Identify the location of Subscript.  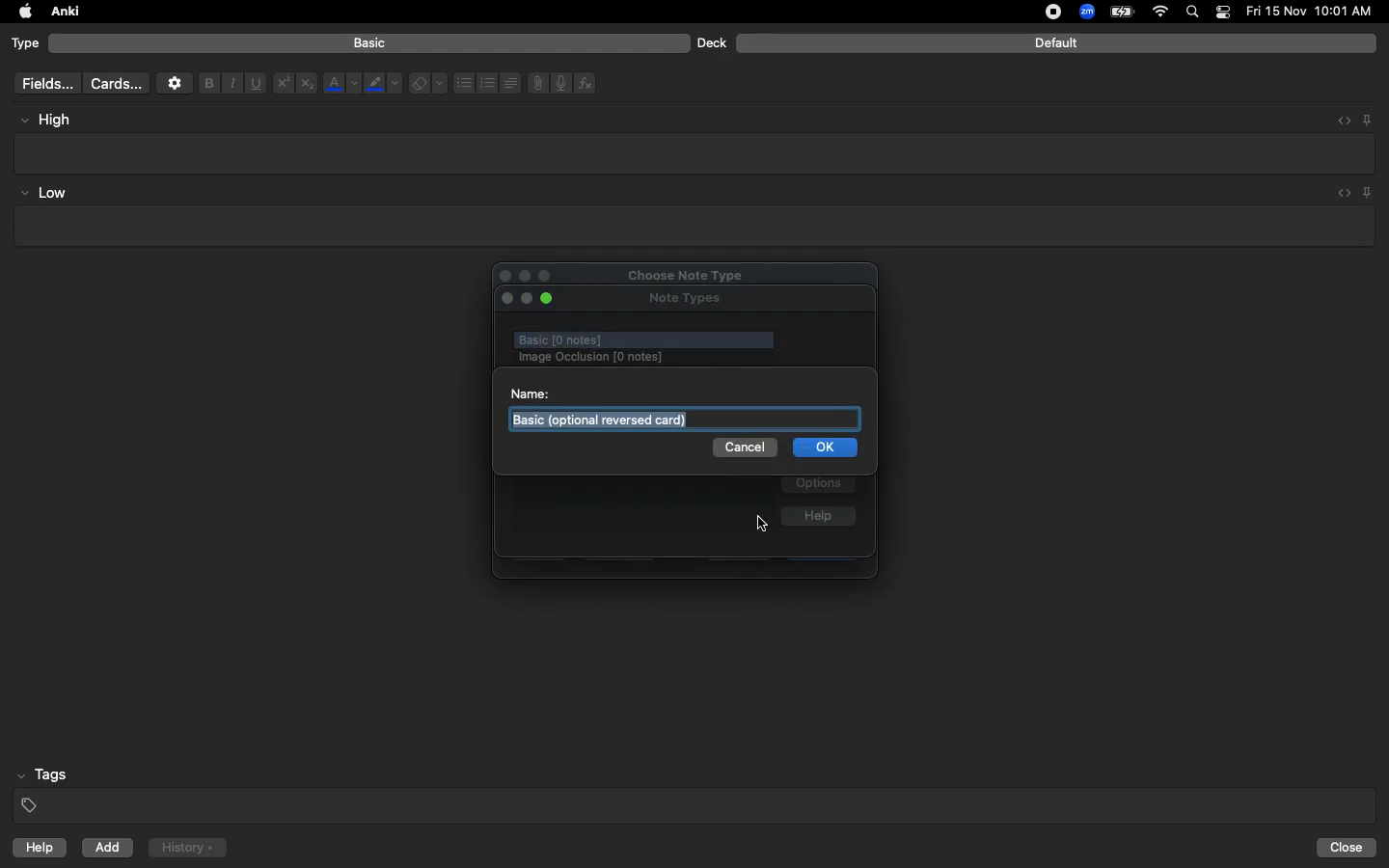
(307, 84).